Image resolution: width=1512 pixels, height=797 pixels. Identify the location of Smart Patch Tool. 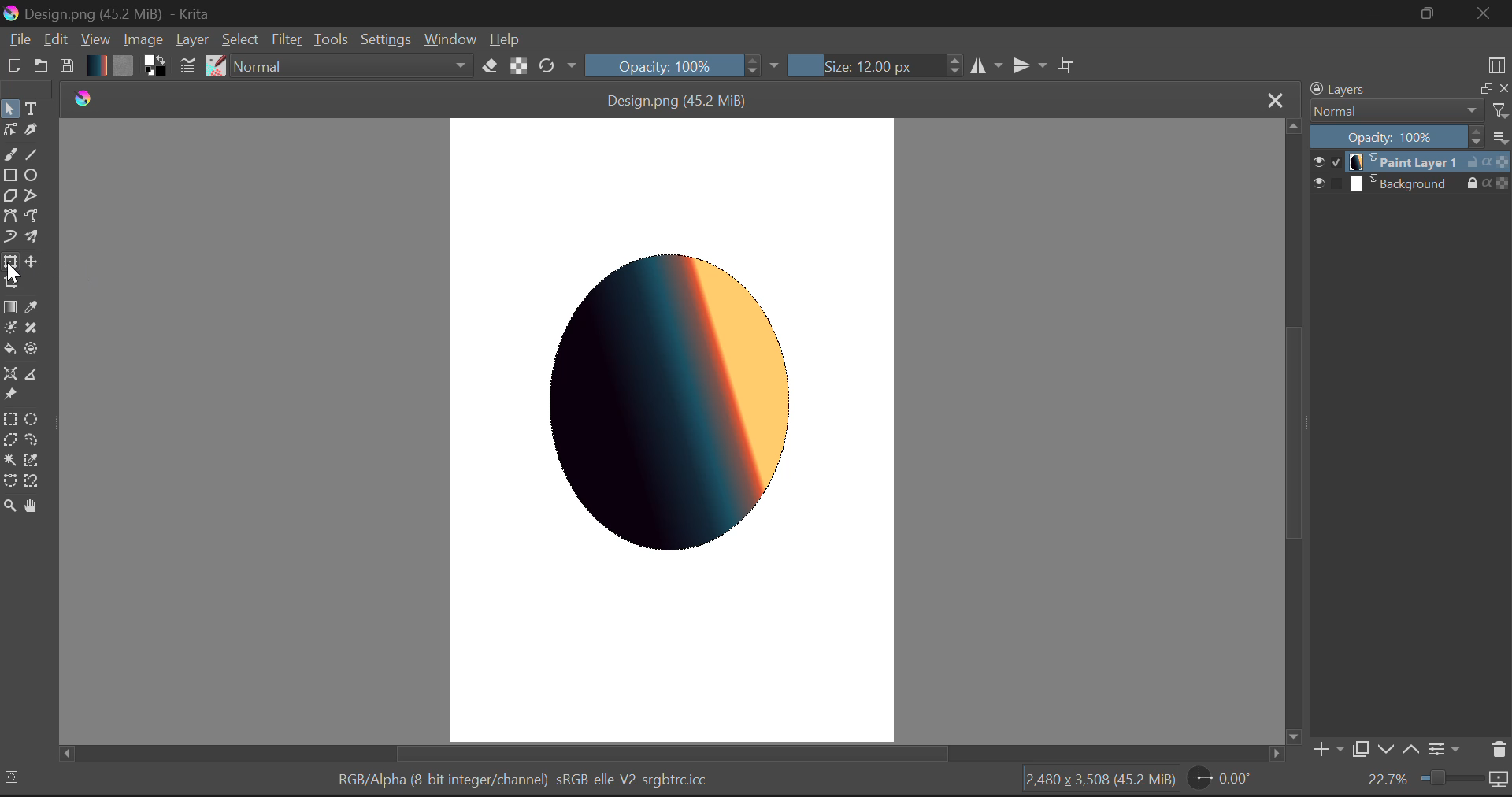
(32, 328).